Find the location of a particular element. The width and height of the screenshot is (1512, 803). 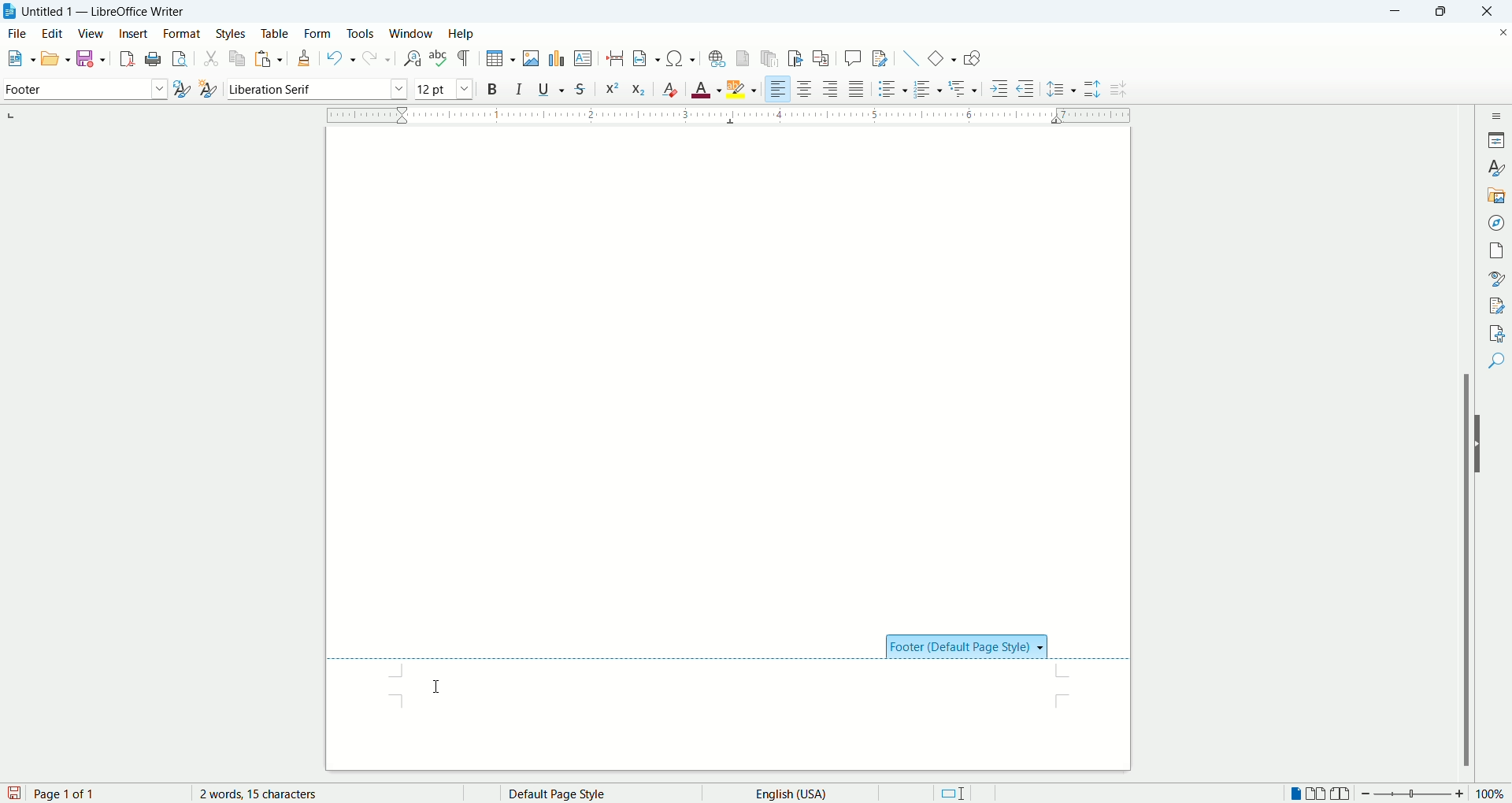

book view is located at coordinates (1341, 794).